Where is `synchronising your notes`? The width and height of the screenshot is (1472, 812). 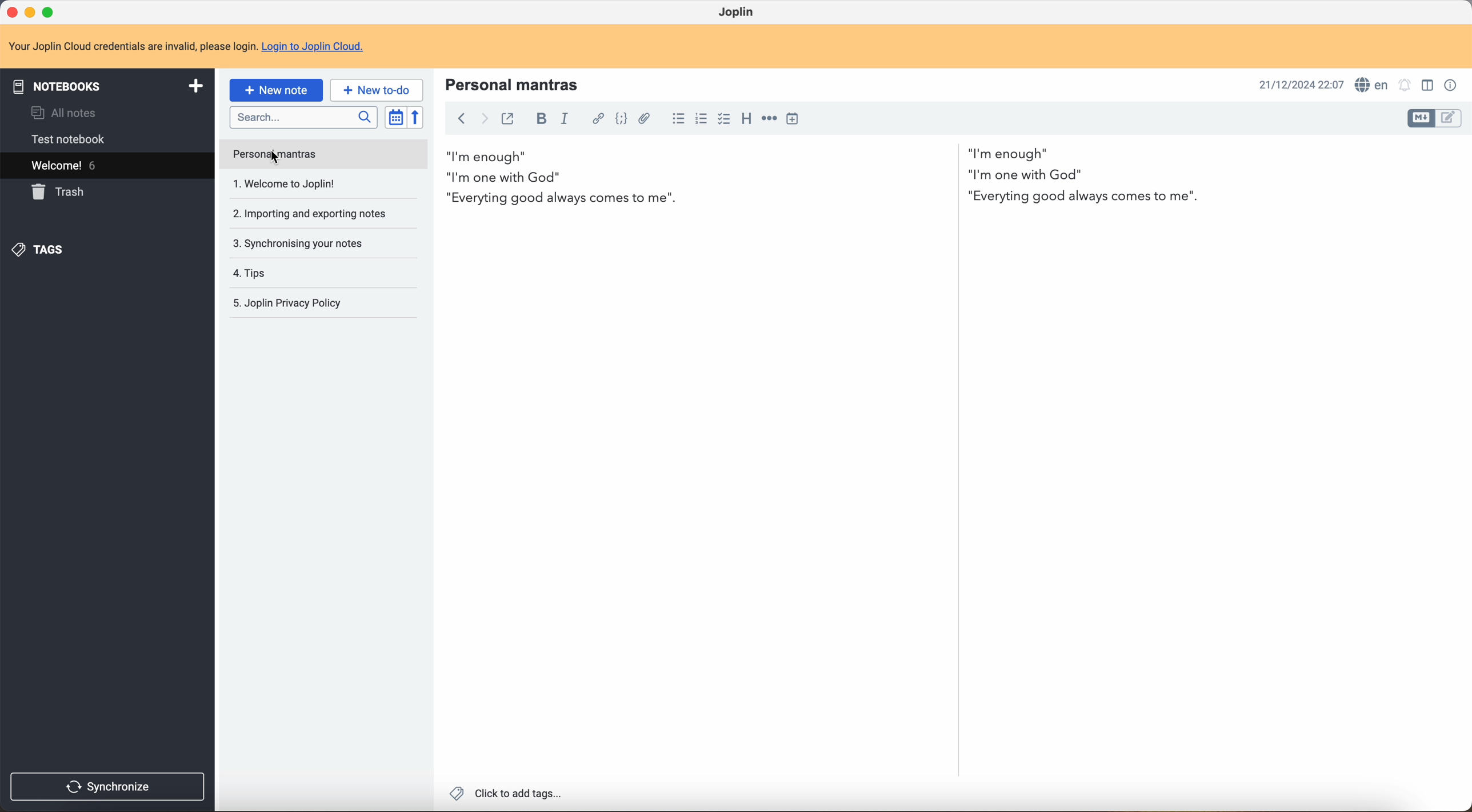
synchronising your notes is located at coordinates (301, 245).